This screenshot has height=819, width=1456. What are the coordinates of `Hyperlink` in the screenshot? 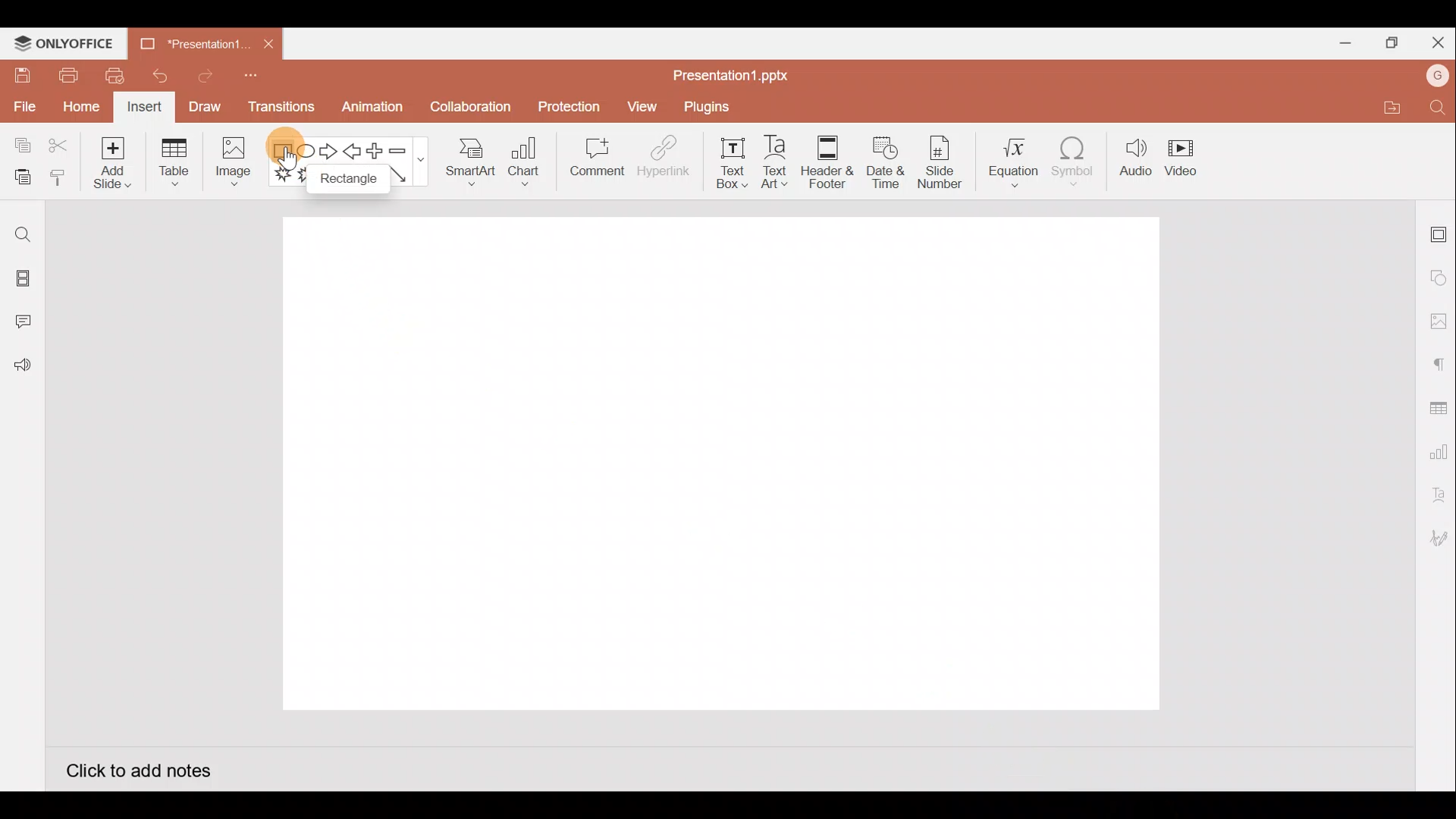 It's located at (660, 158).